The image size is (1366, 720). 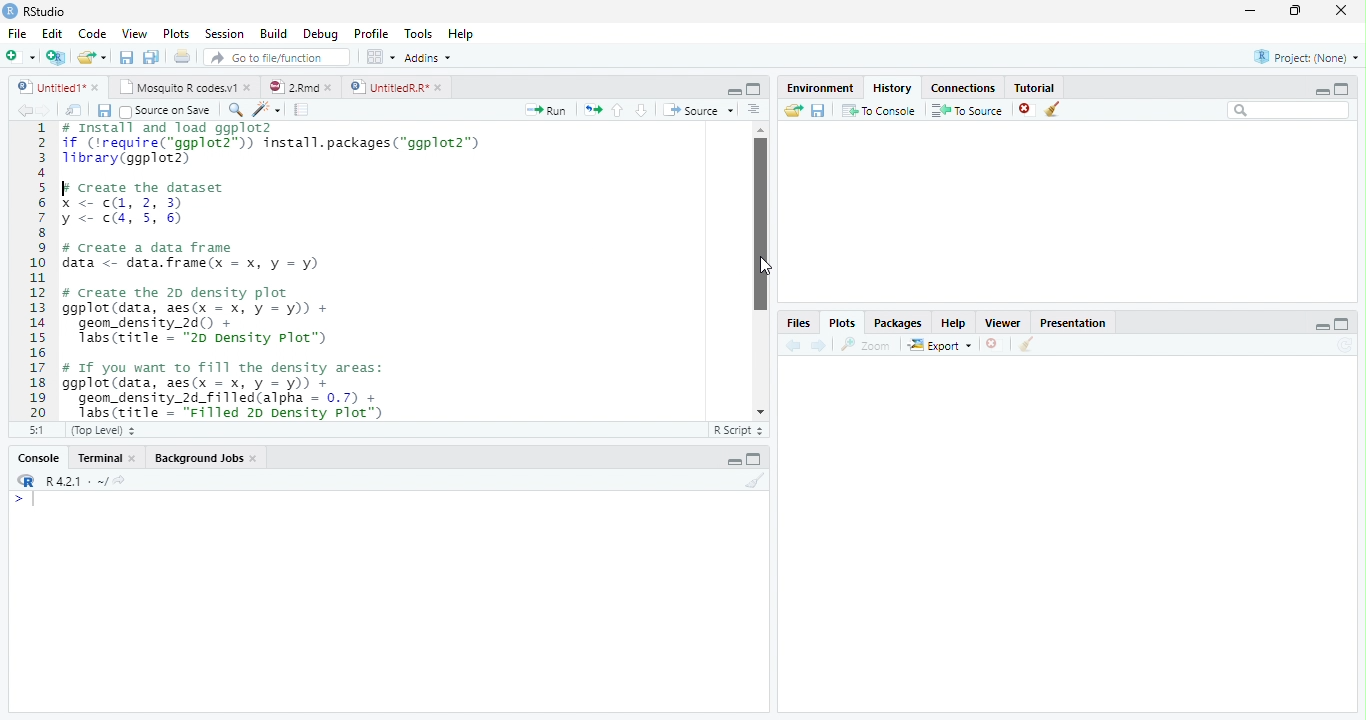 What do you see at coordinates (178, 87) in the screenshot?
I see `‘Mosquito R codes.v1` at bounding box center [178, 87].